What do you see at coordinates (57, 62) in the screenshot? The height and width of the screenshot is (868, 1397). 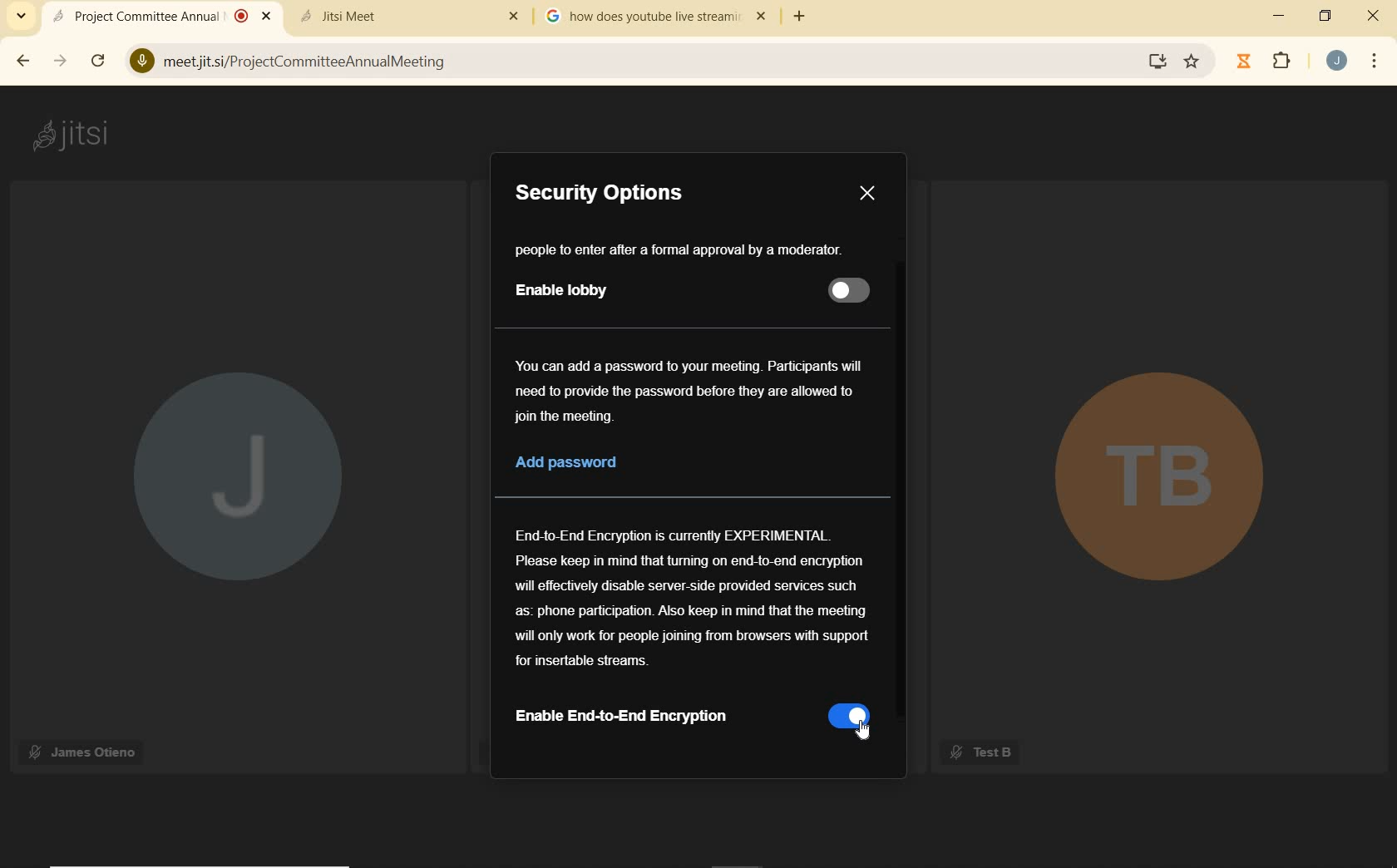 I see `FORWARD` at bounding box center [57, 62].